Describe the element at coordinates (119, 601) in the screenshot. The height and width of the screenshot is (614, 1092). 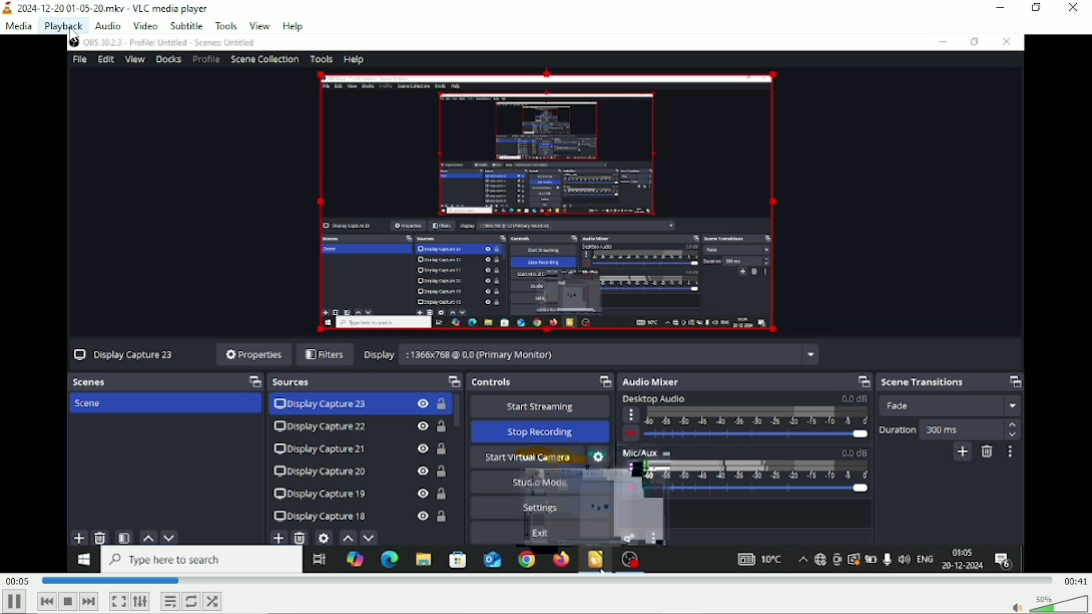
I see `Toggle video in fullscreen` at that location.